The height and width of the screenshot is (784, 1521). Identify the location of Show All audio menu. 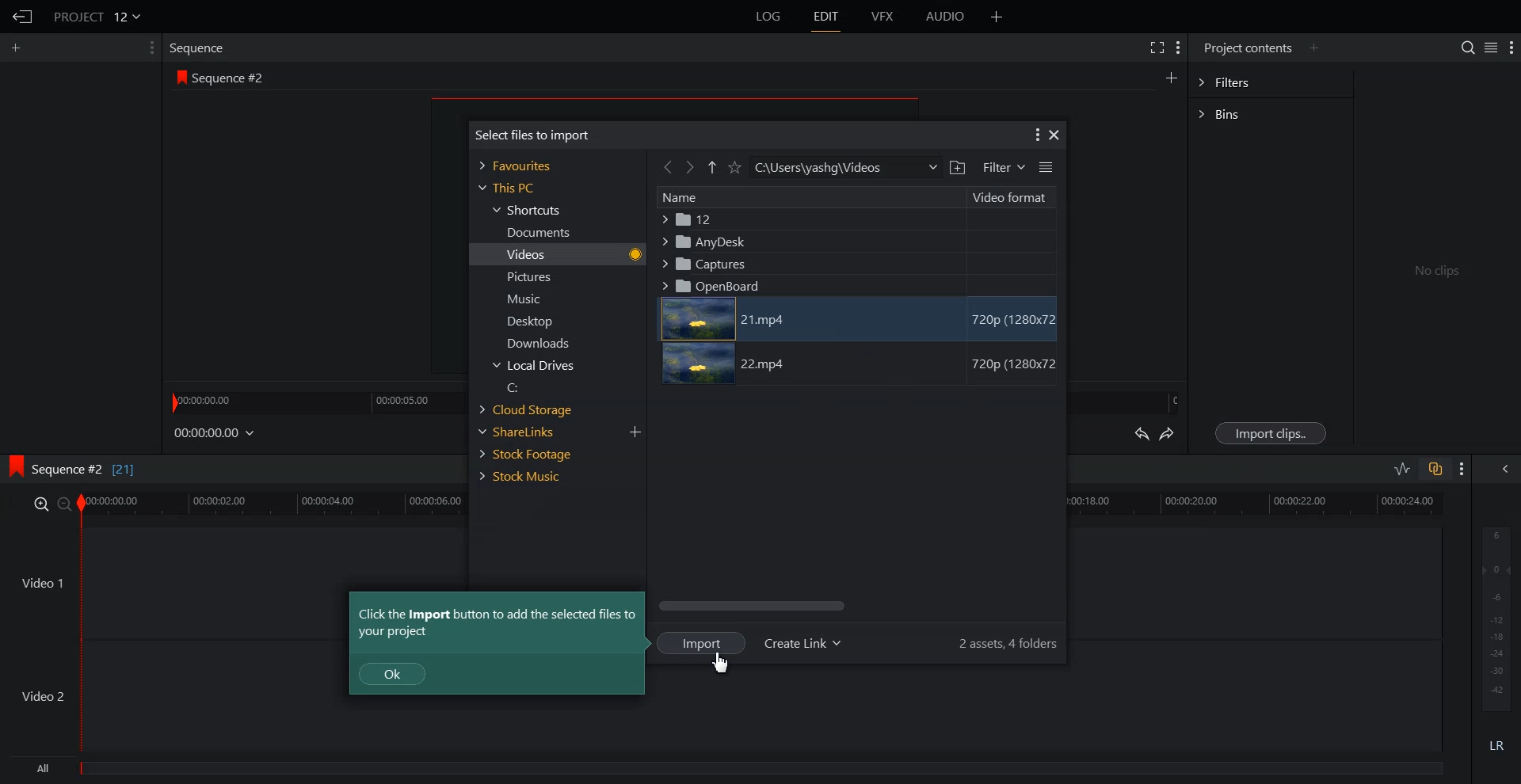
(1504, 469).